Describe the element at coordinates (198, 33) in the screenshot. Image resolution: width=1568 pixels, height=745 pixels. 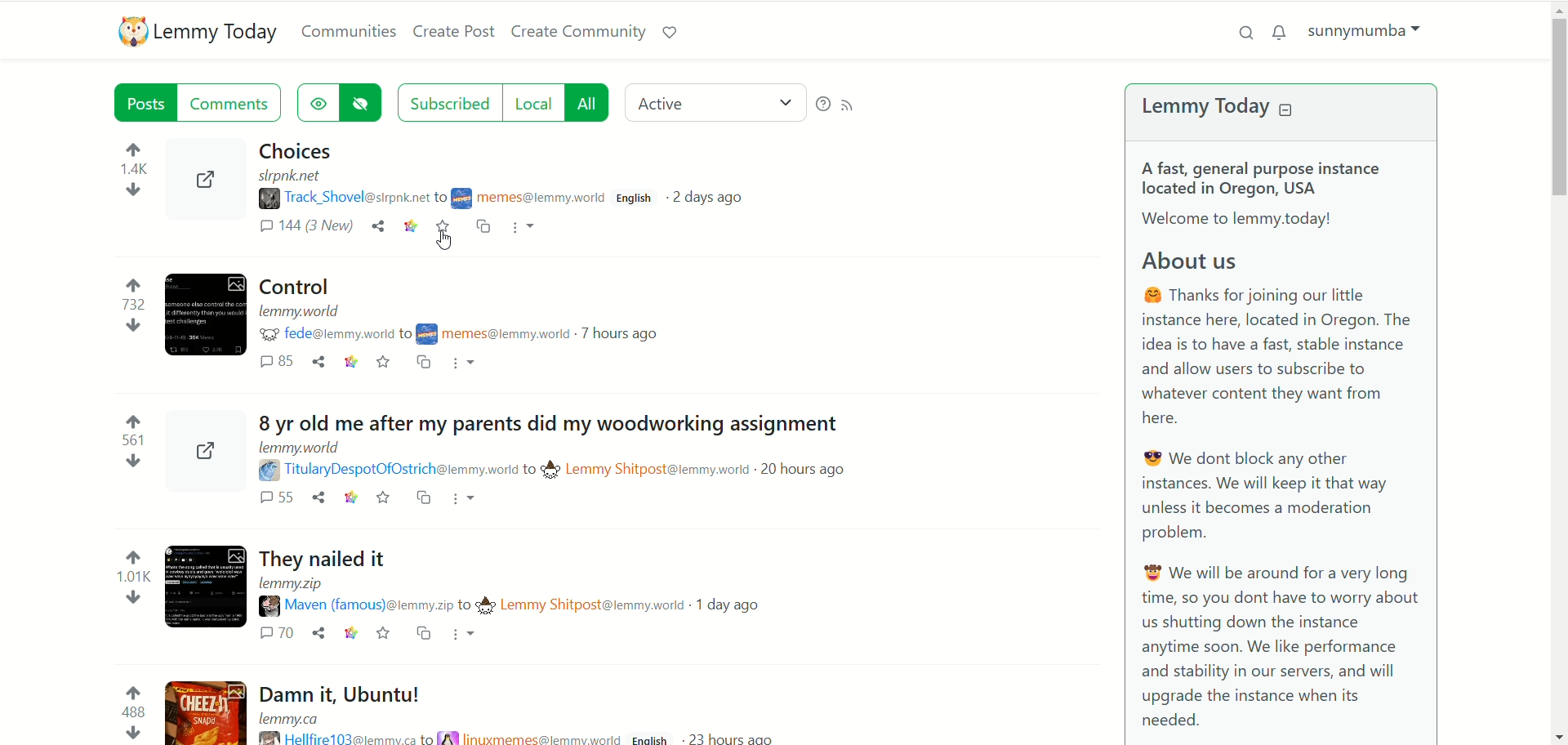
I see `lemmy today logo ad name` at that location.